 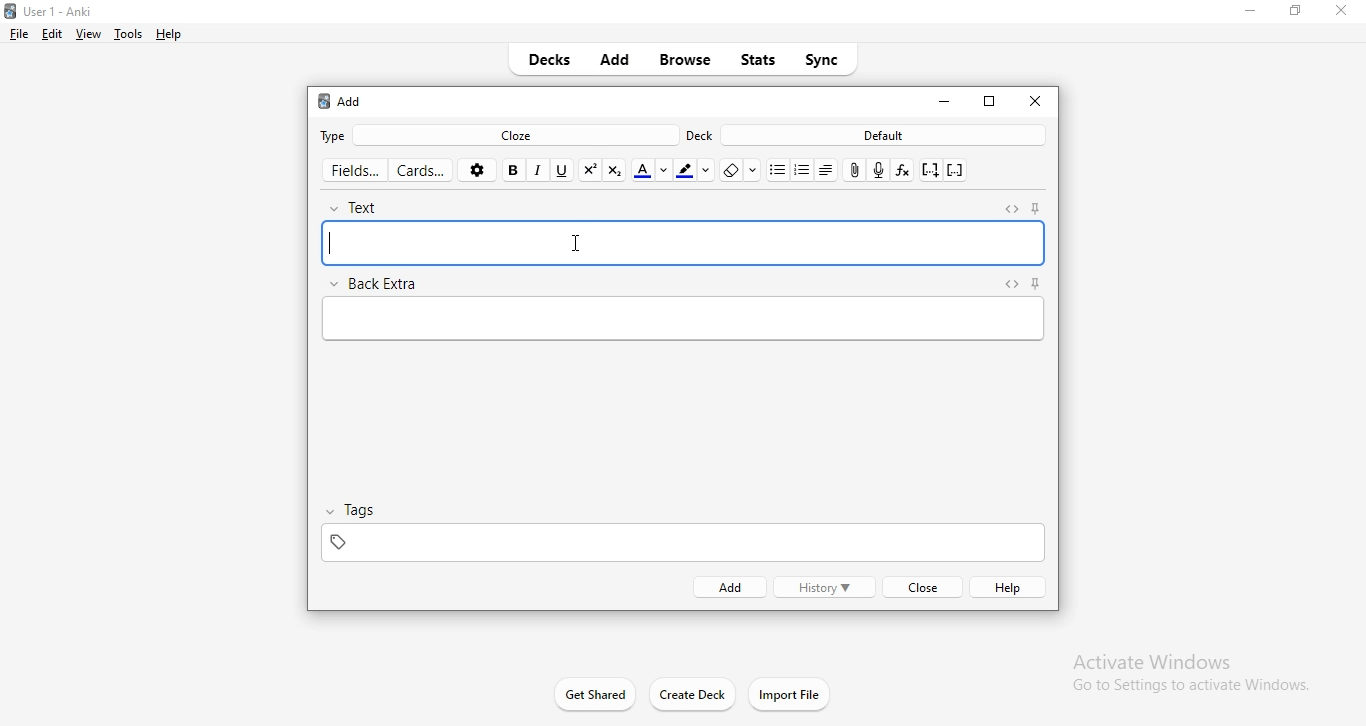 What do you see at coordinates (991, 103) in the screenshot?
I see `restore` at bounding box center [991, 103].